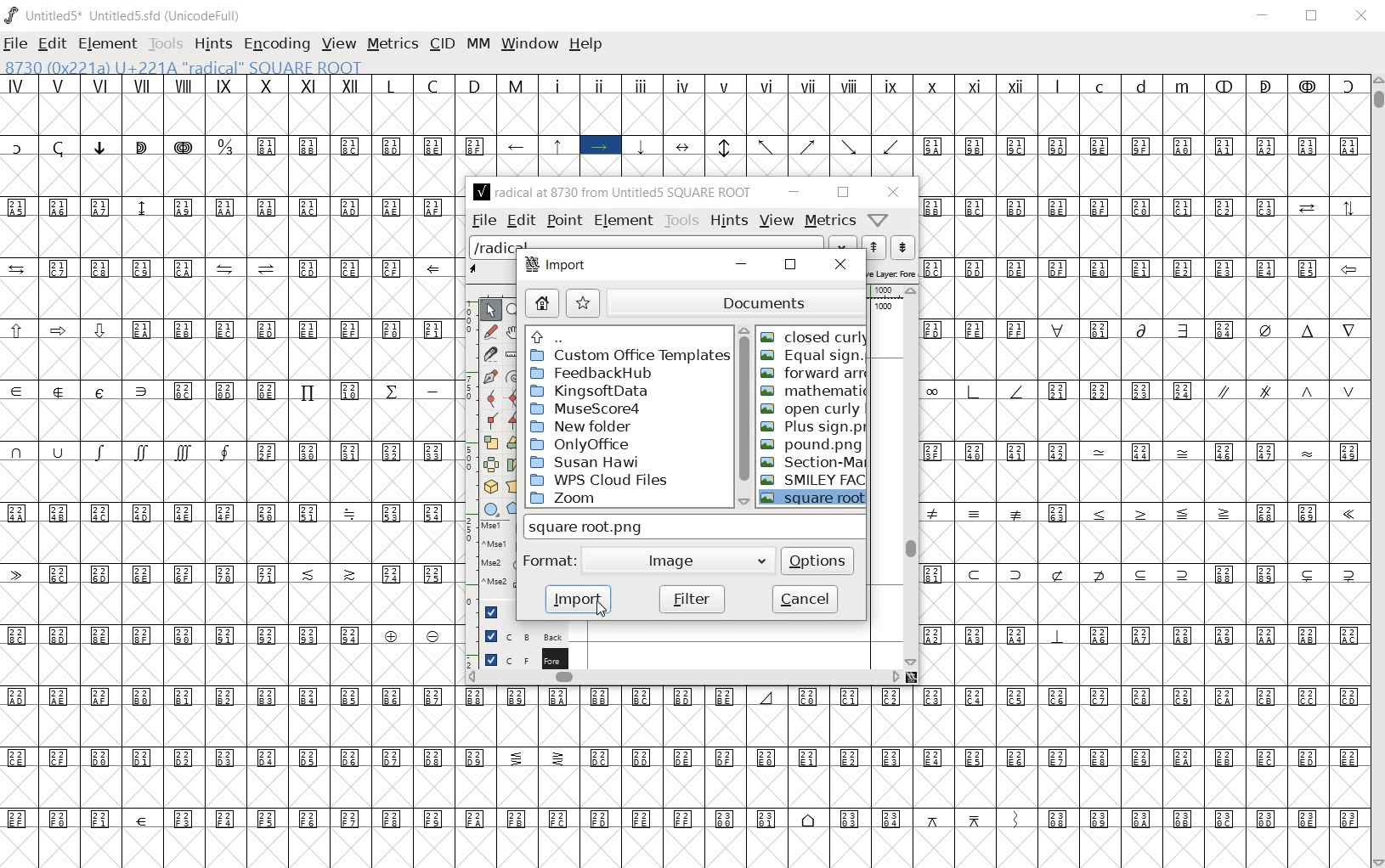  Describe the element at coordinates (563, 499) in the screenshot. I see `zoom` at that location.